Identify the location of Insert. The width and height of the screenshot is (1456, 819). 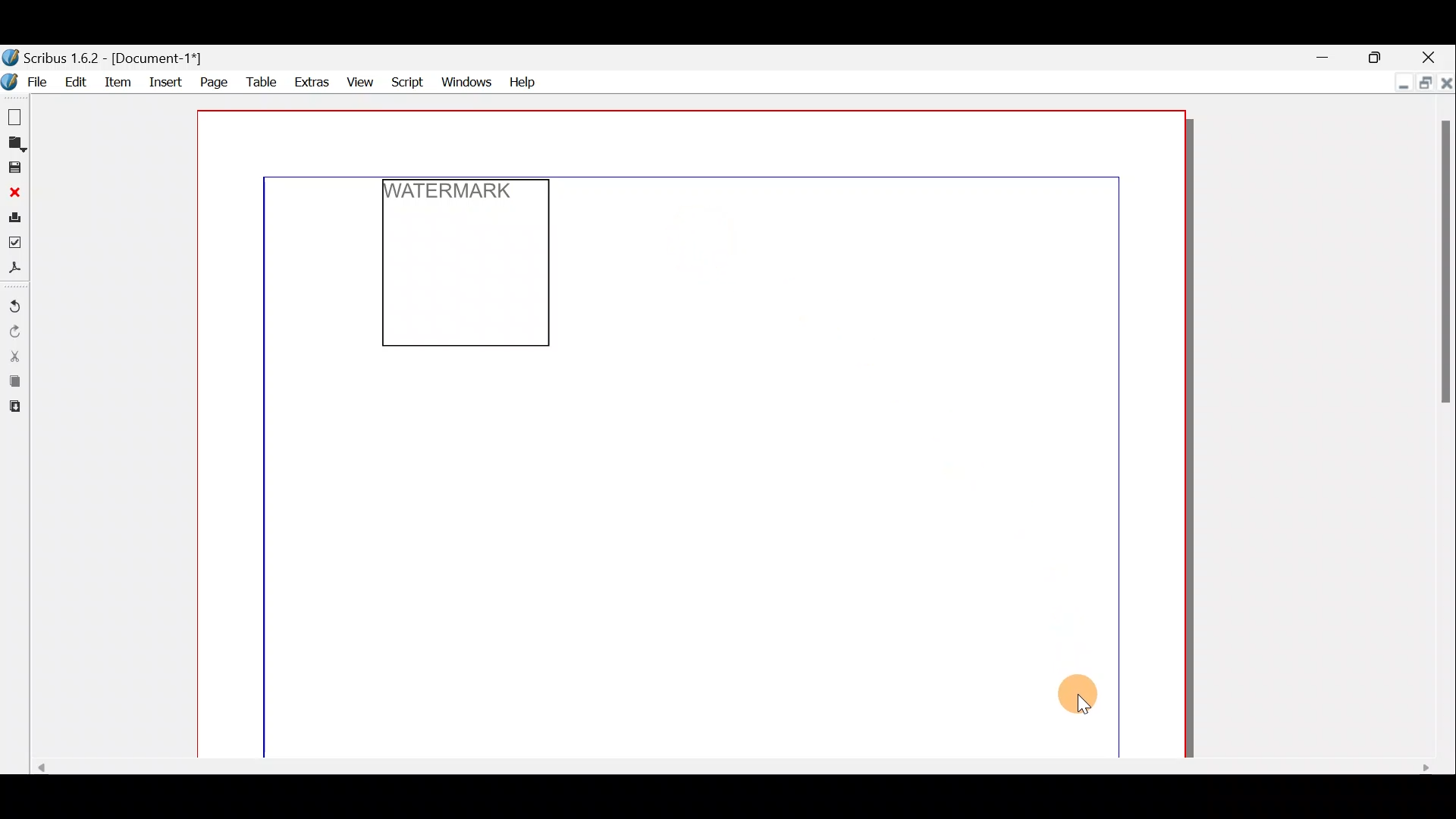
(166, 80).